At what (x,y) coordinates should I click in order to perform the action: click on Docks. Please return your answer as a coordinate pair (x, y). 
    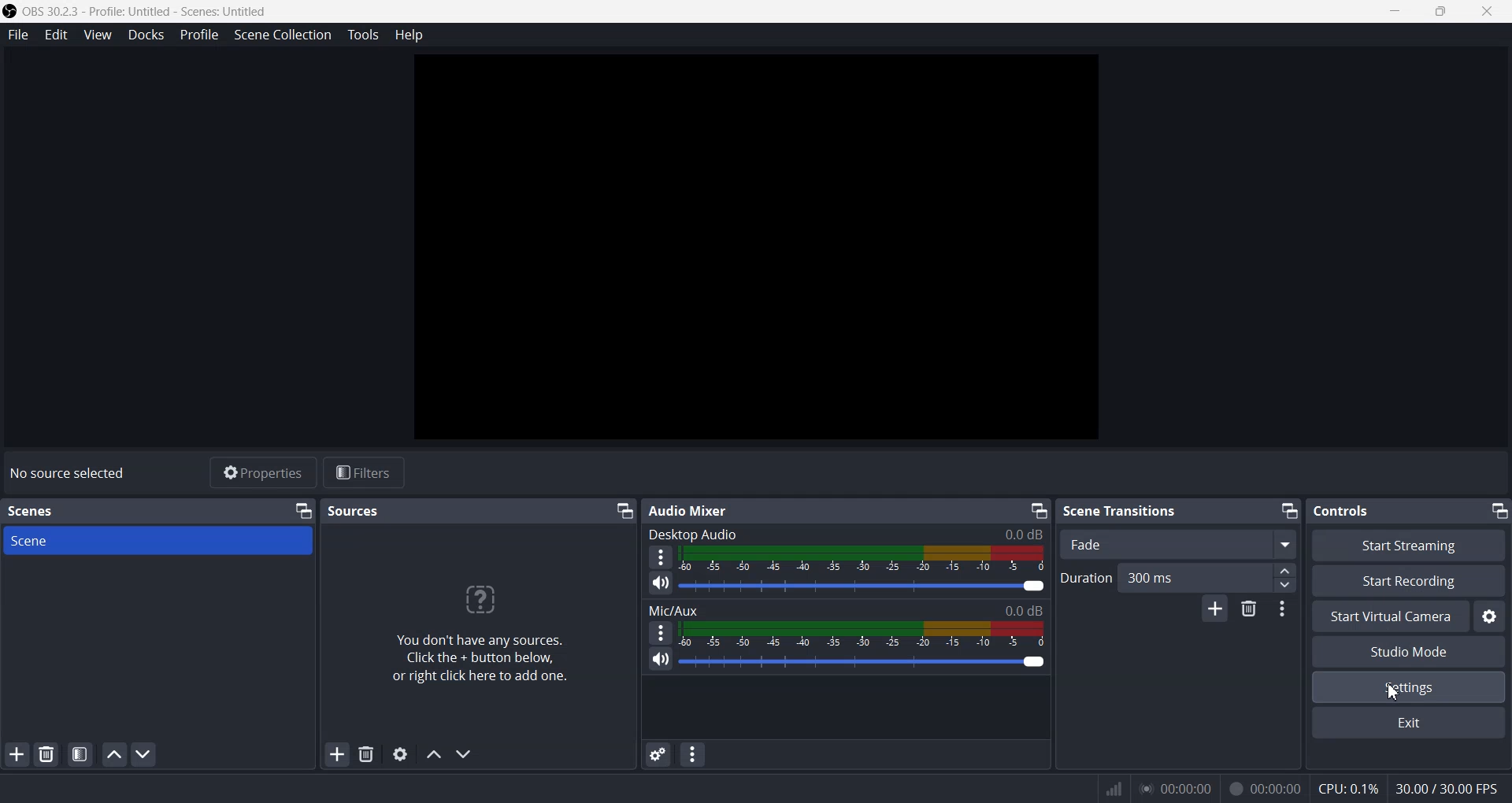
    Looking at the image, I should click on (145, 35).